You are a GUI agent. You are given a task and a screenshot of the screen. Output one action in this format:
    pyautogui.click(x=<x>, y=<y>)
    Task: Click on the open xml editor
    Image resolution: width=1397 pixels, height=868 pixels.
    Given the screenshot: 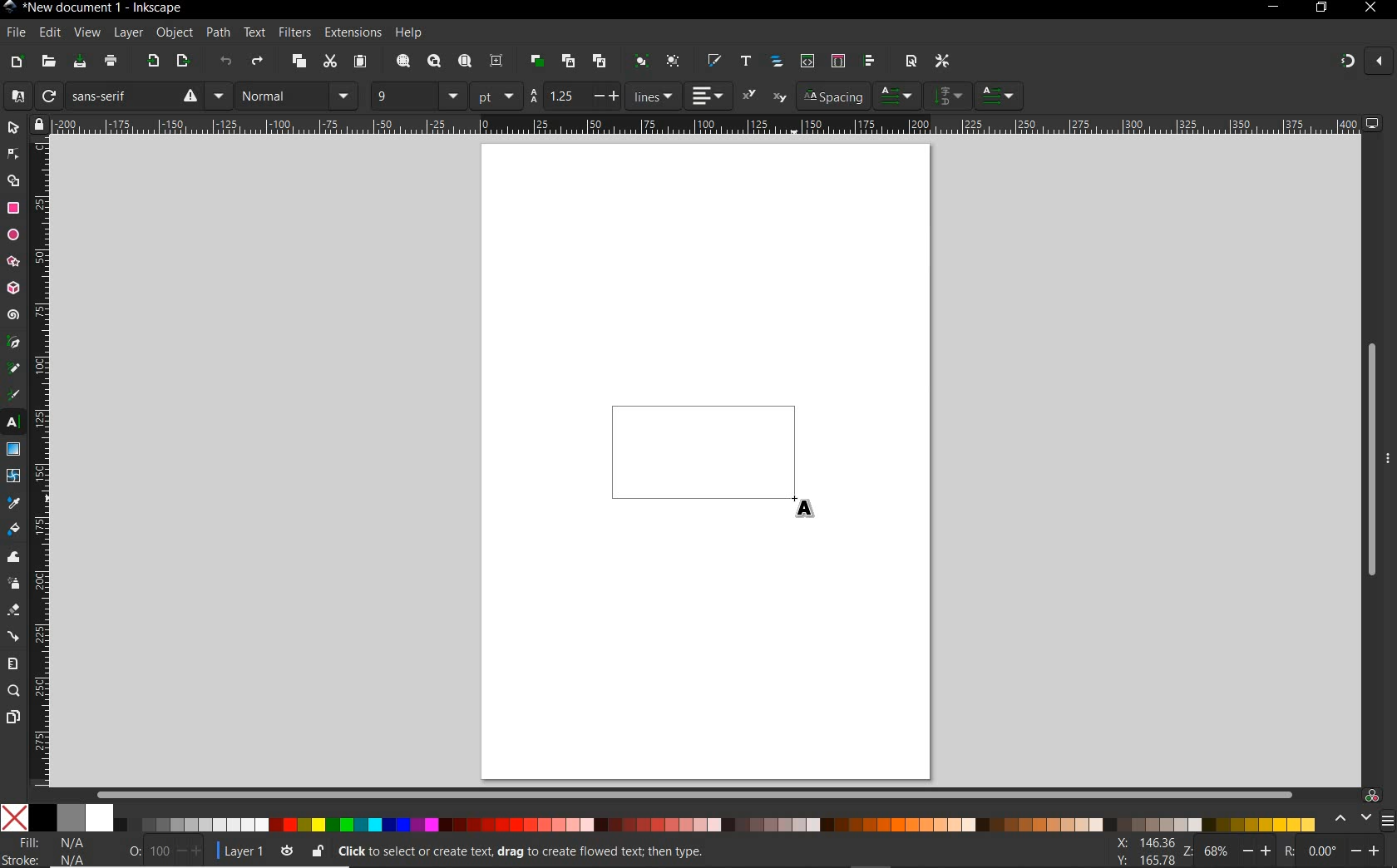 What is the action you would take?
    pyautogui.click(x=806, y=61)
    